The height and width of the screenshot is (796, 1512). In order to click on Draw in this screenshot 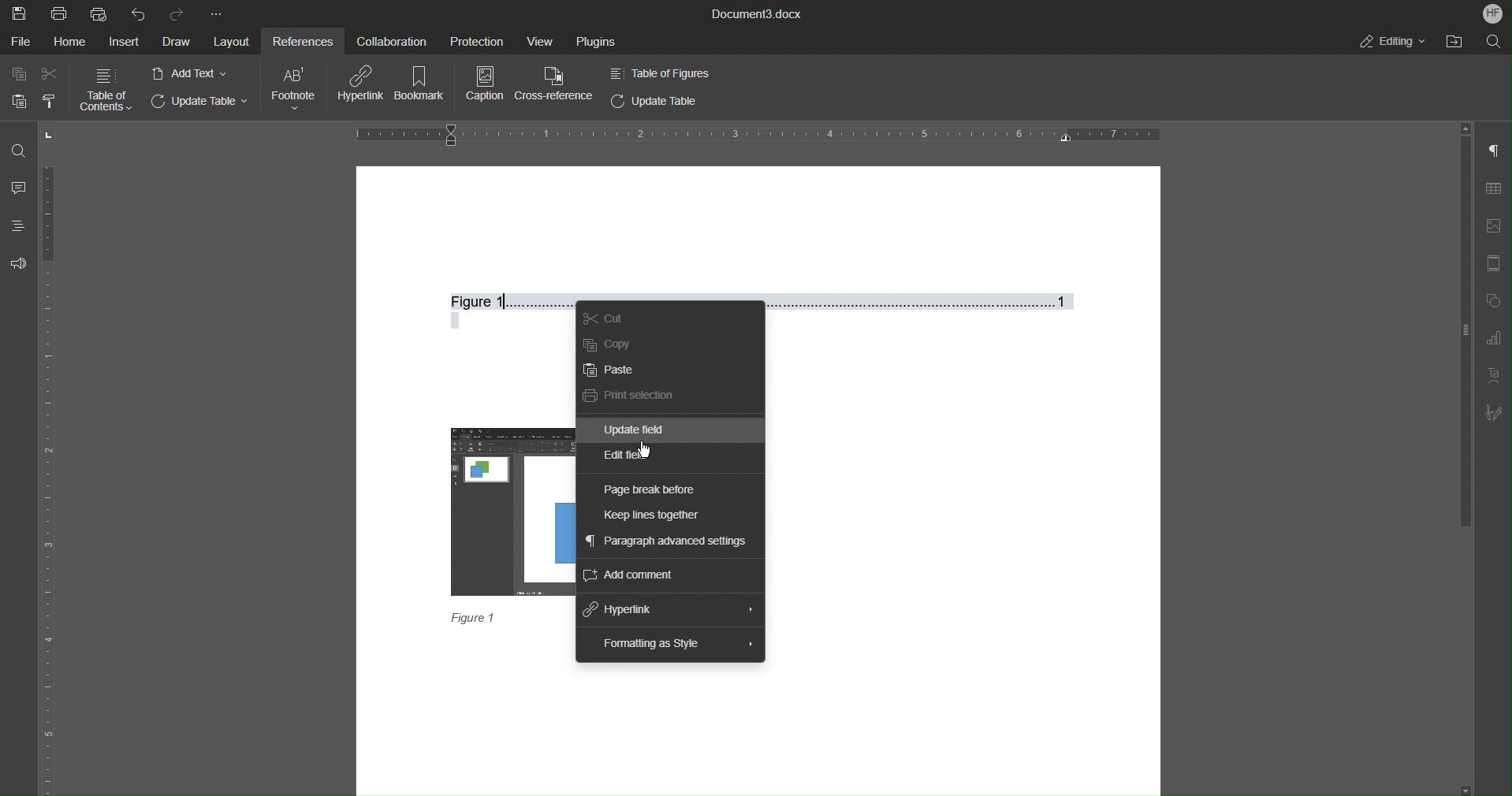, I will do `click(174, 42)`.